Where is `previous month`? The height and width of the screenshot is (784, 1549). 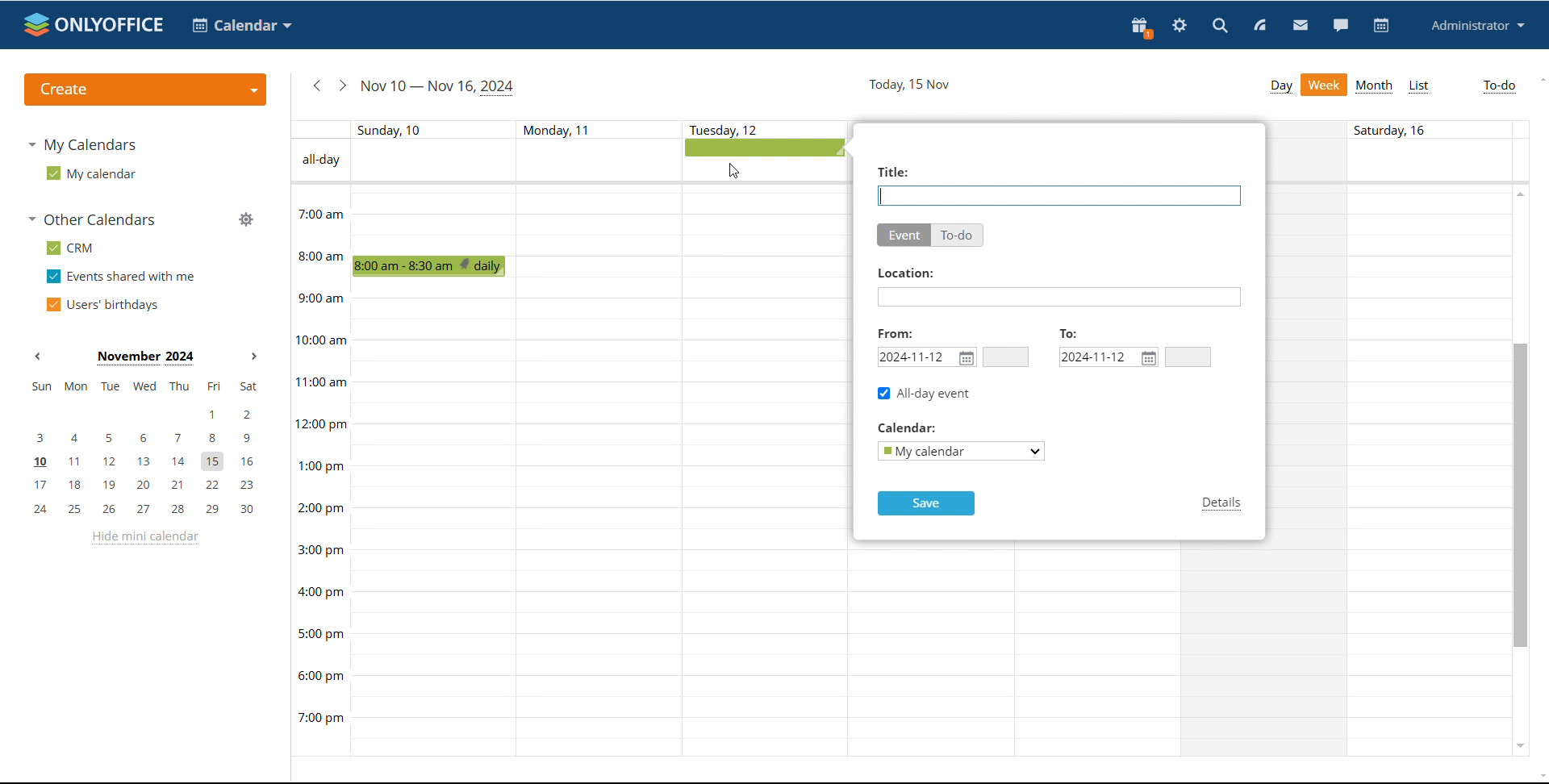 previous month is located at coordinates (39, 356).